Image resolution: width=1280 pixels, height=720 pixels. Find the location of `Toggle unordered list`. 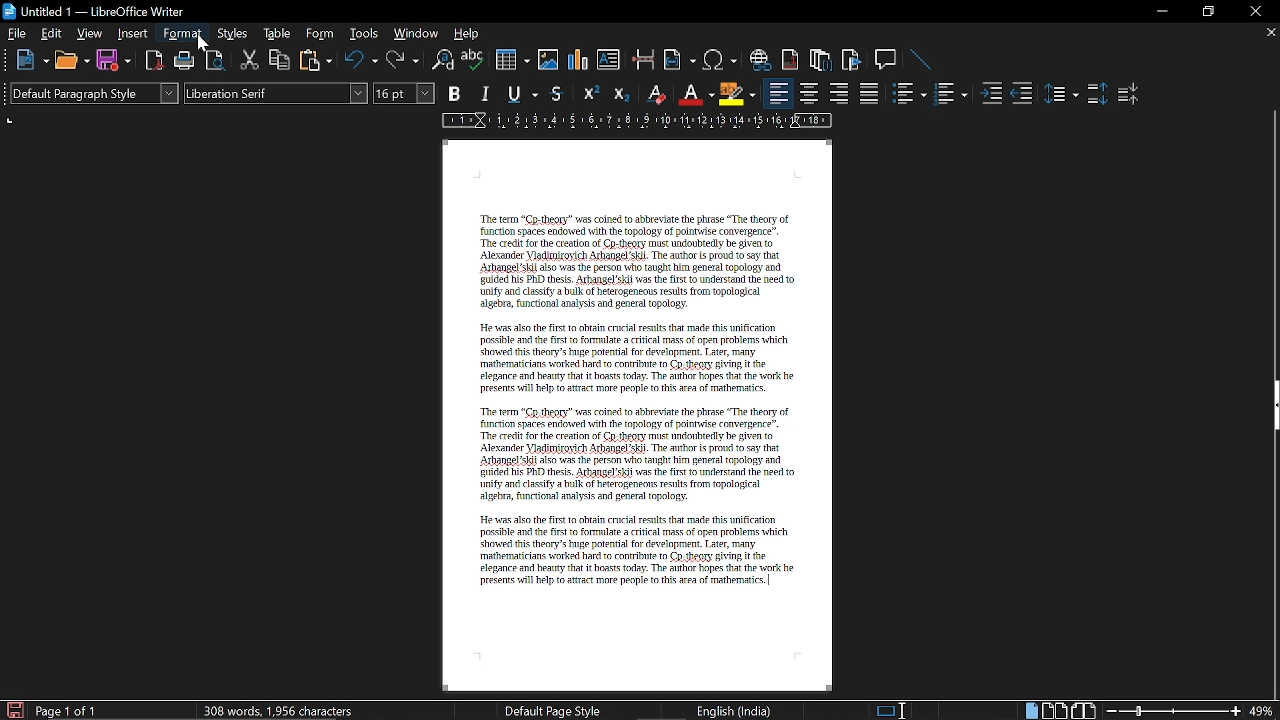

Toggle unordered list is located at coordinates (909, 94).